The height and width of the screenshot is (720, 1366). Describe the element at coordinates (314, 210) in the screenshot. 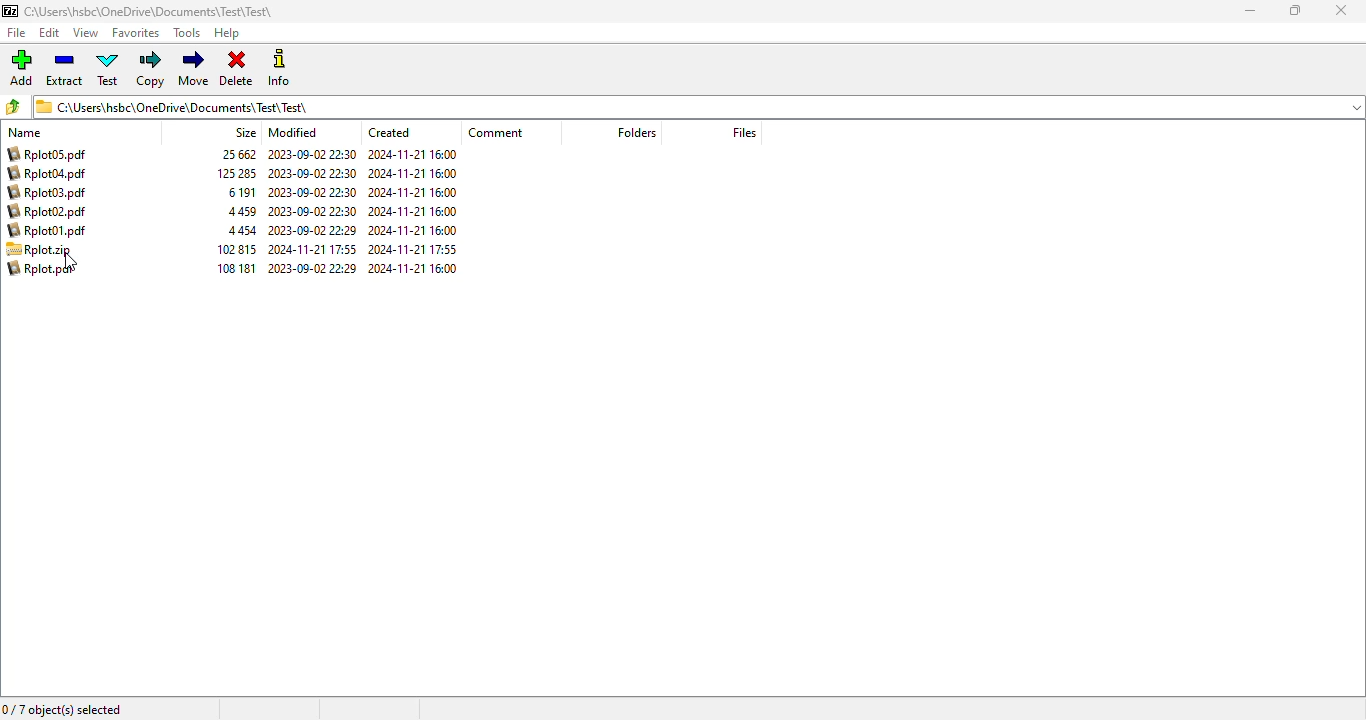

I see `2023-09-02 22:30` at that location.